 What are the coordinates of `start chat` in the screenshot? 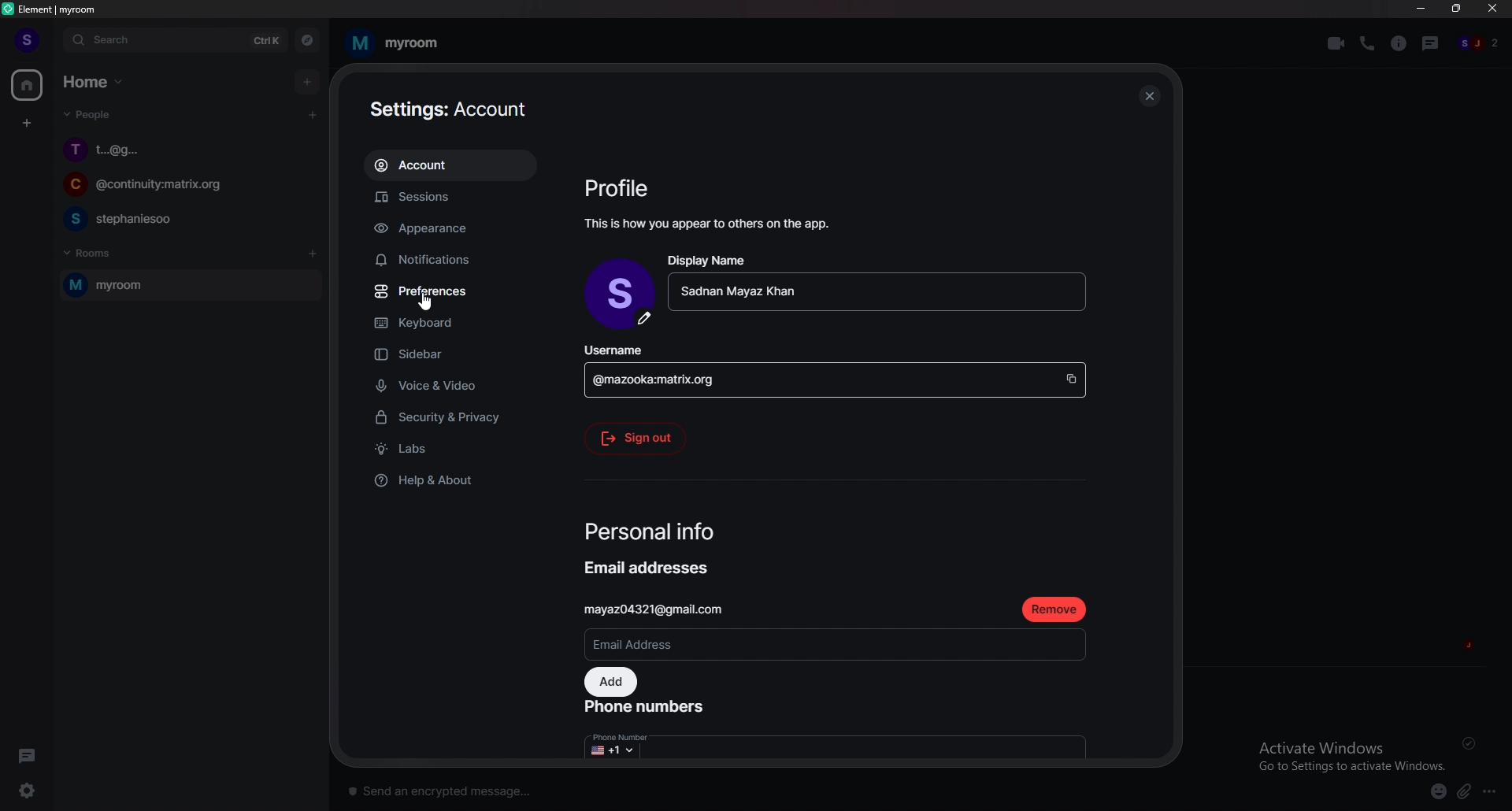 It's located at (312, 114).